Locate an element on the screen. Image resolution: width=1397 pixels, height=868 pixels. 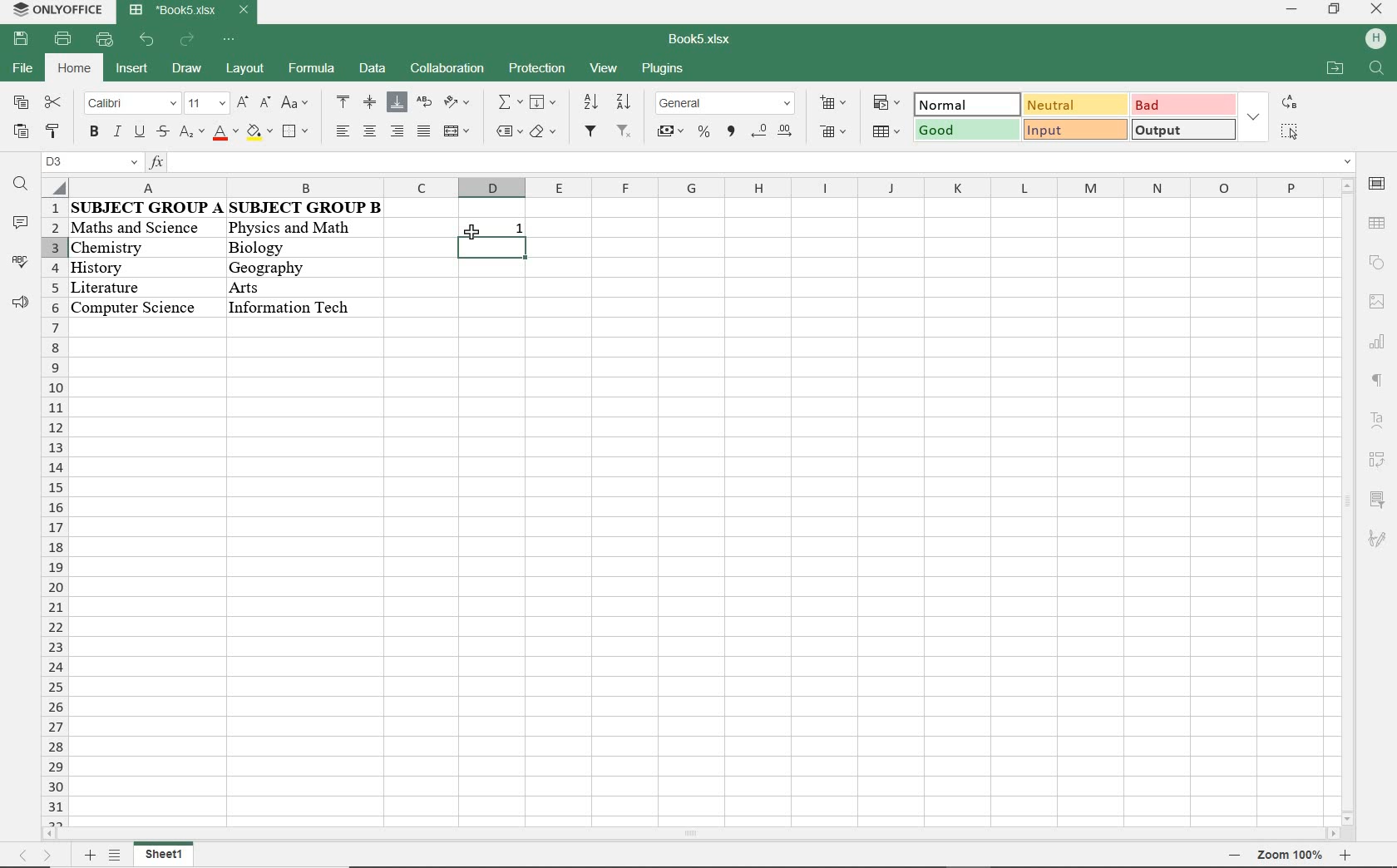
next is located at coordinates (48, 856).